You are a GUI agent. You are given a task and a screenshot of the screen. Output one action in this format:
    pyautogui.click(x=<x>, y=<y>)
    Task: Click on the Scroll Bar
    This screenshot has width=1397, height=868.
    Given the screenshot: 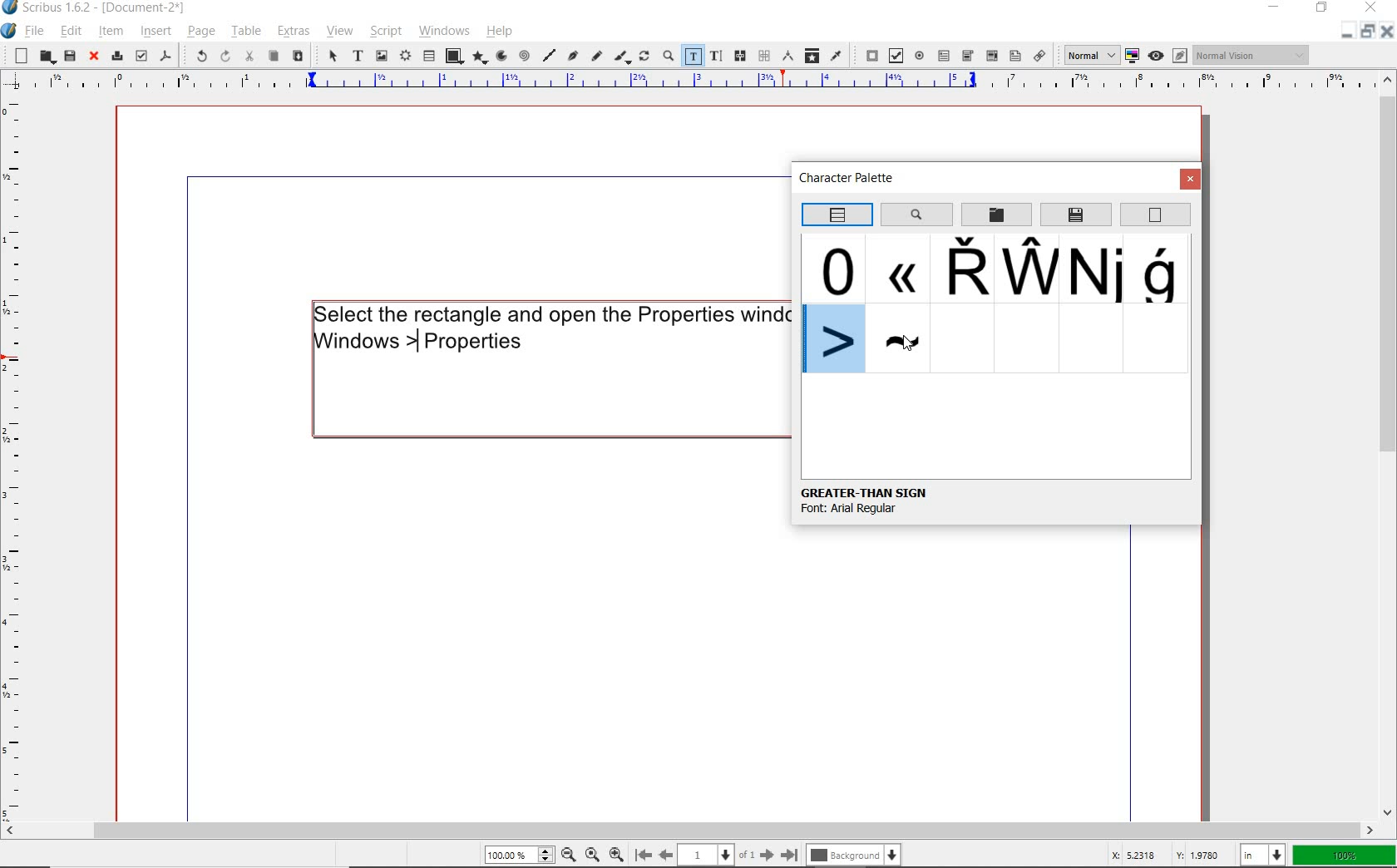 What is the action you would take?
    pyautogui.click(x=699, y=827)
    